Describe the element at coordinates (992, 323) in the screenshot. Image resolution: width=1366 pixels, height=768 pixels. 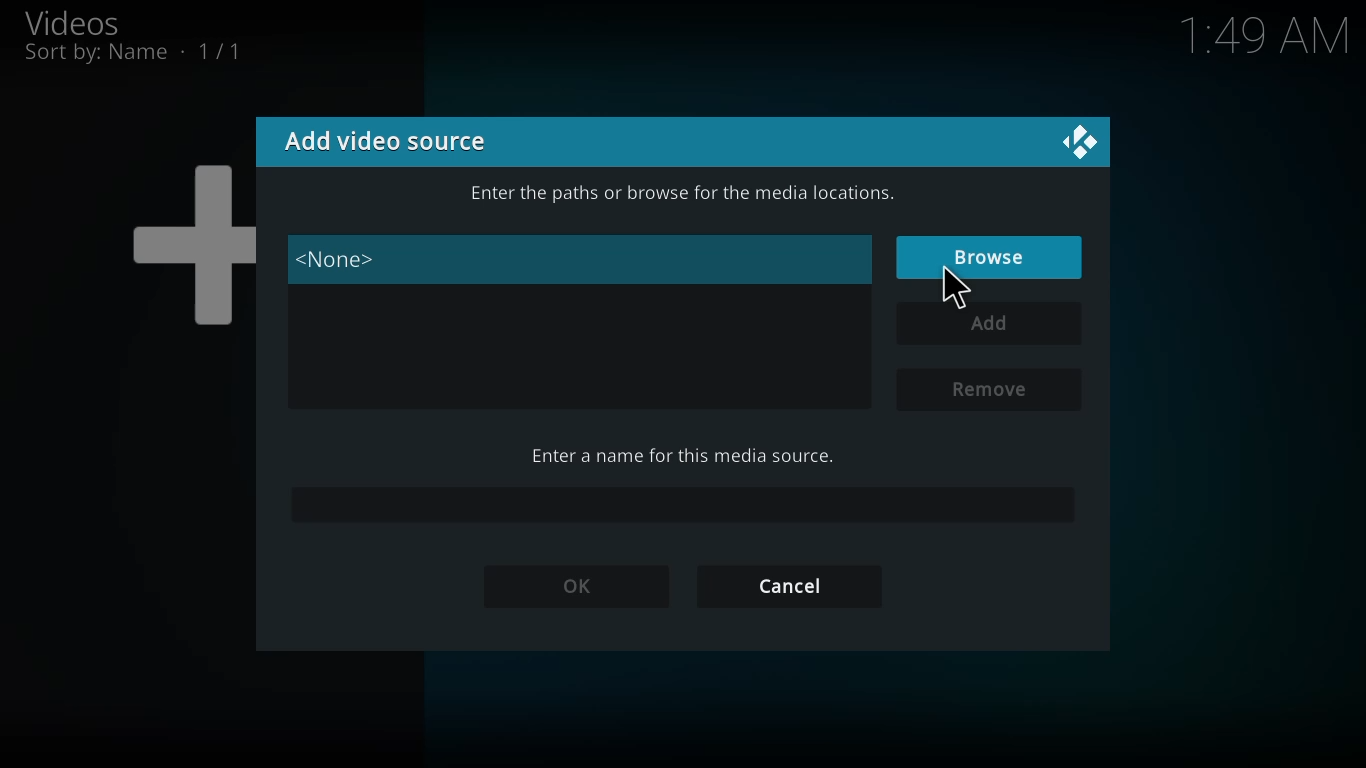
I see `add` at that location.